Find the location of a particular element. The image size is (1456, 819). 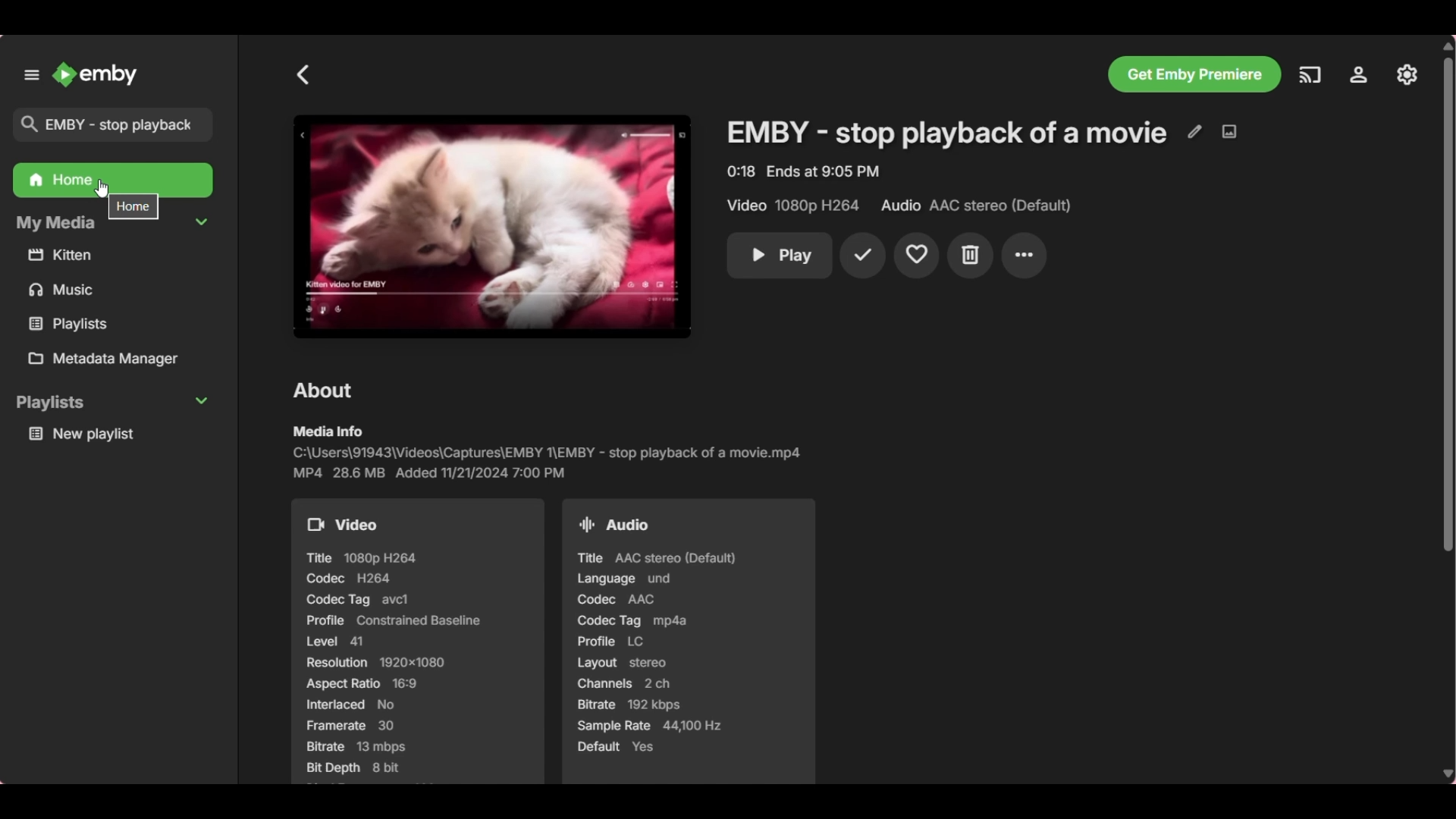

Vertical slide bar is located at coordinates (1448, 411).